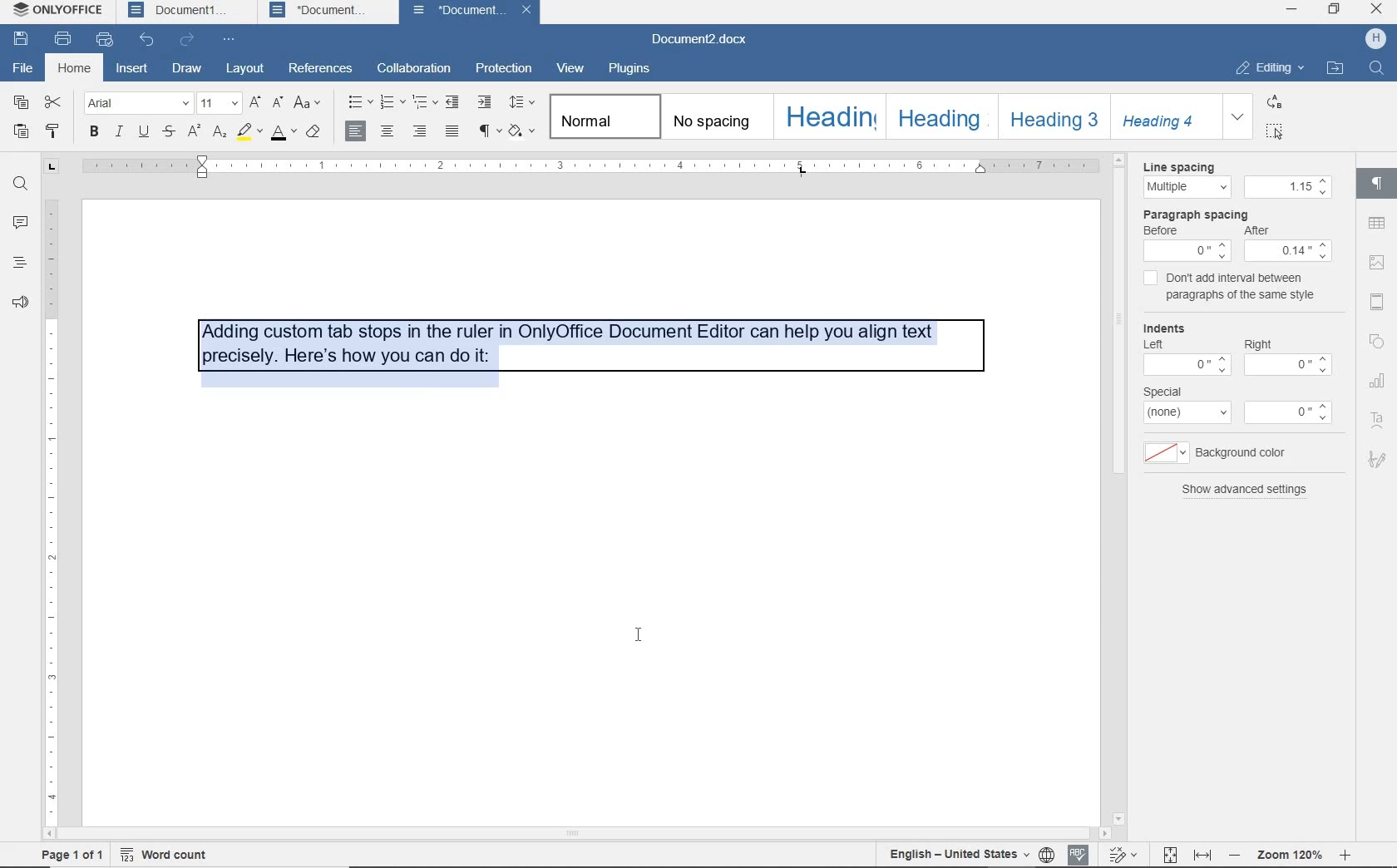  Describe the element at coordinates (568, 68) in the screenshot. I see `view` at that location.